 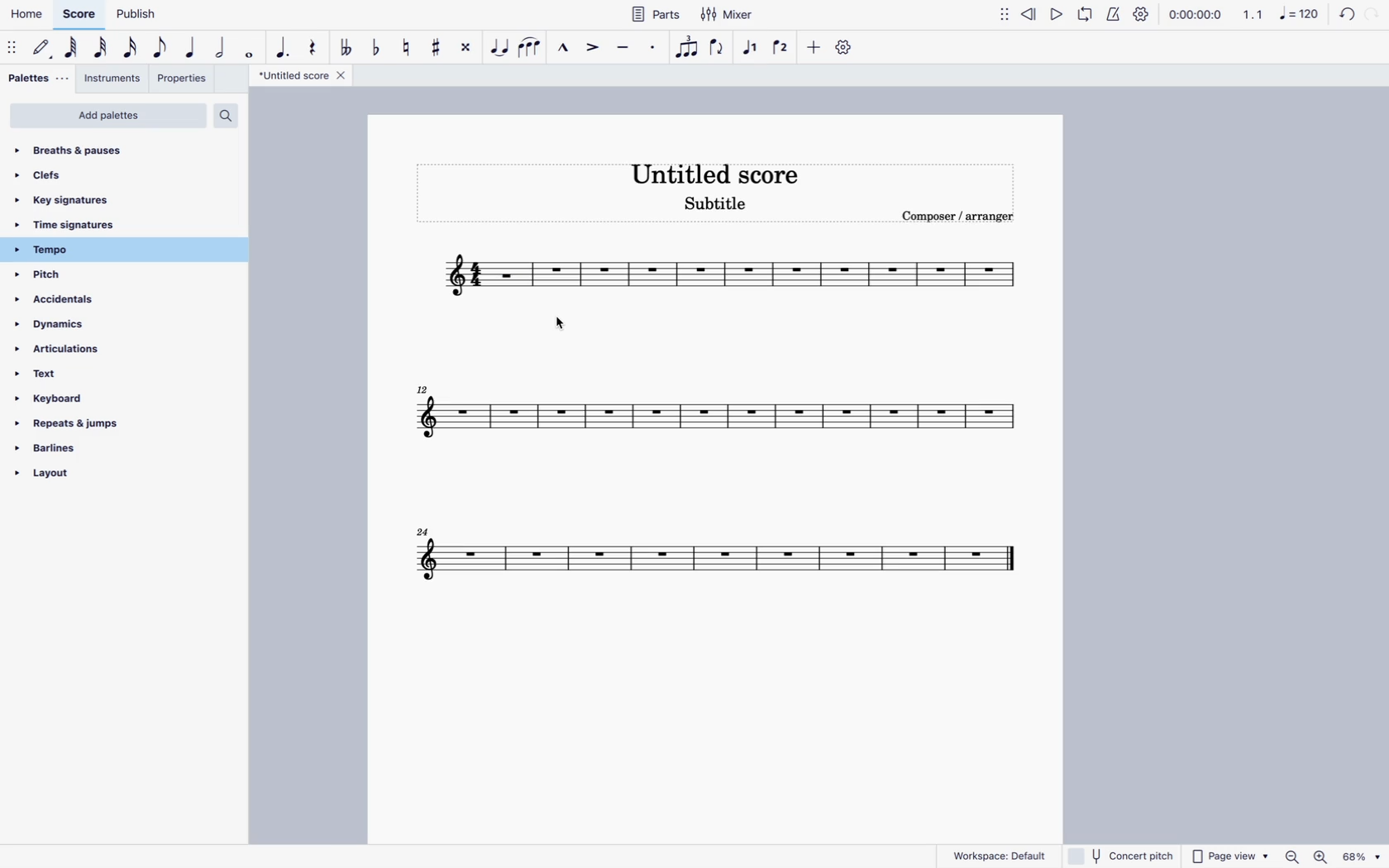 I want to click on zoom, so click(x=1291, y=856).